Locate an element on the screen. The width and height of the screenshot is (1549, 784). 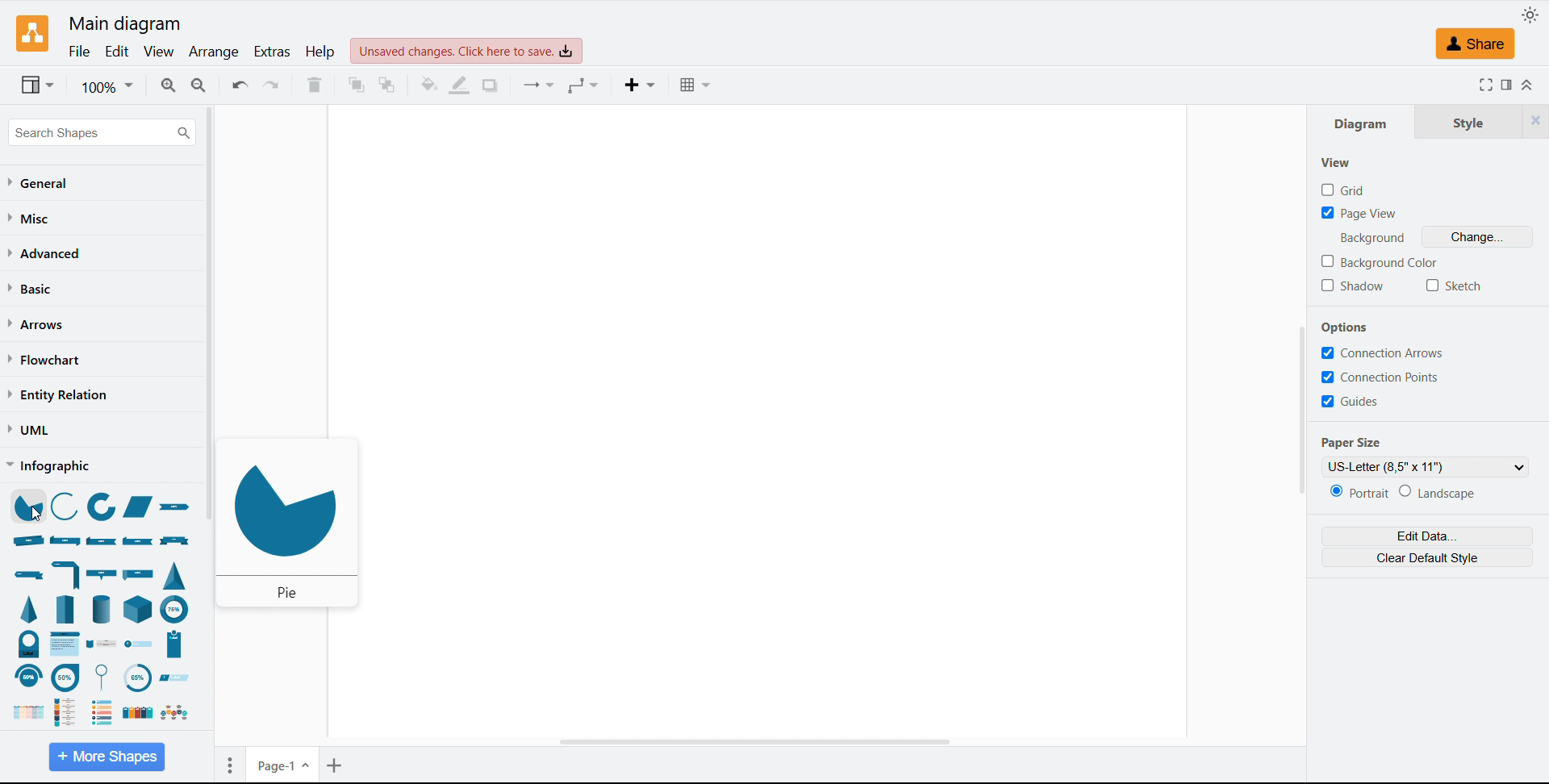
banner is located at coordinates (178, 542).